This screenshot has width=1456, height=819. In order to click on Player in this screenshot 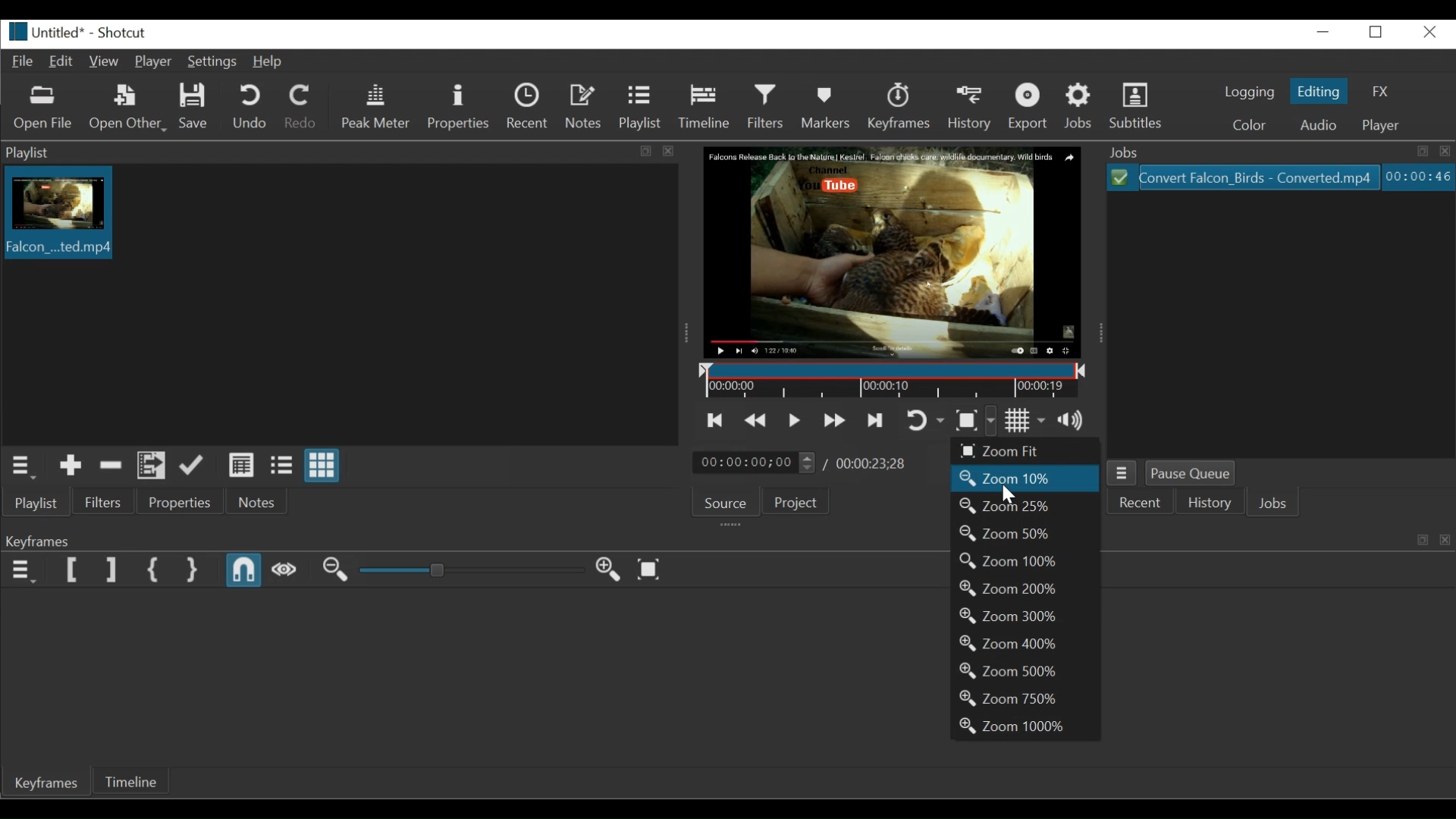, I will do `click(152, 61)`.